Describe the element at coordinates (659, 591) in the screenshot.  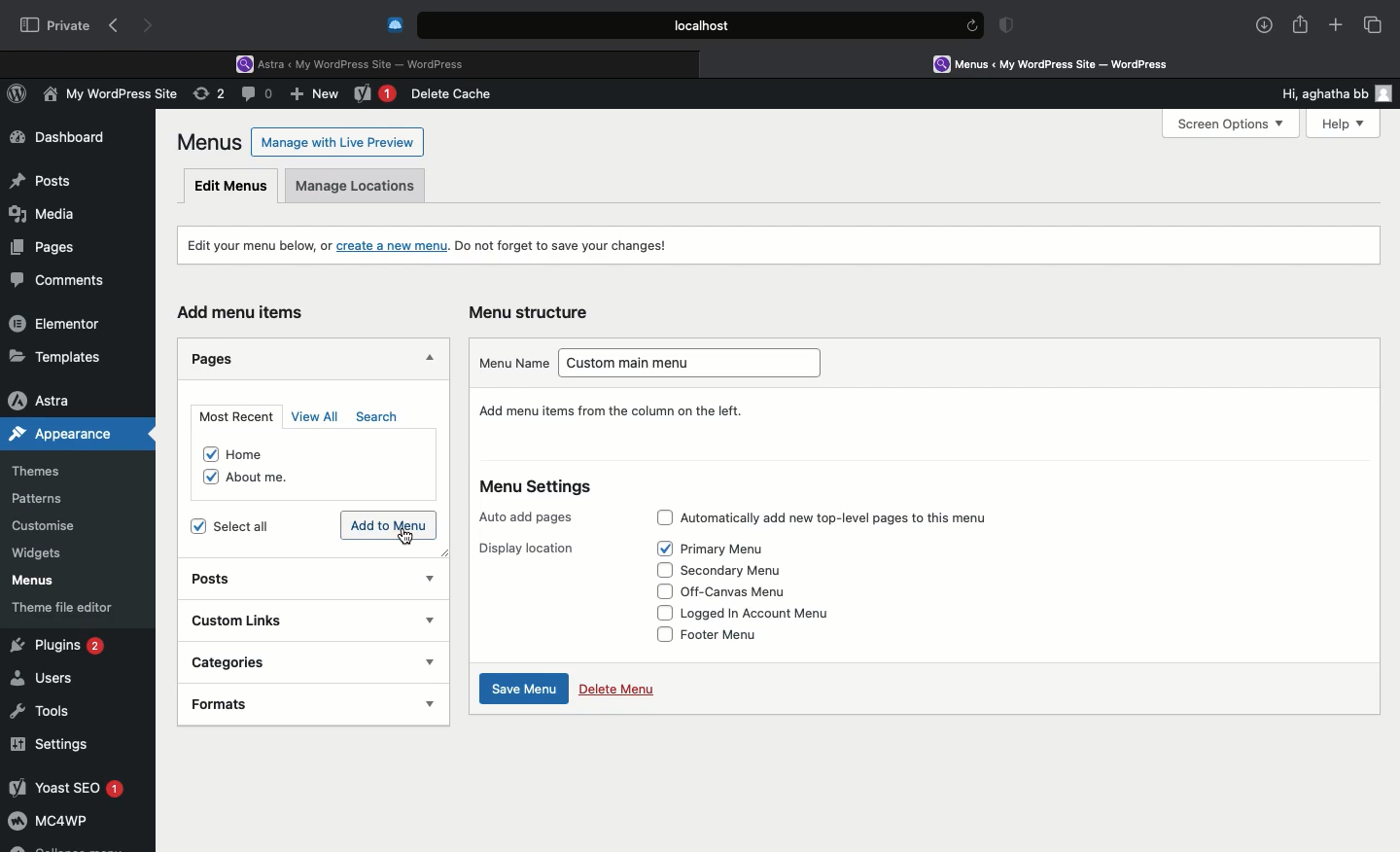
I see `Check box` at that location.